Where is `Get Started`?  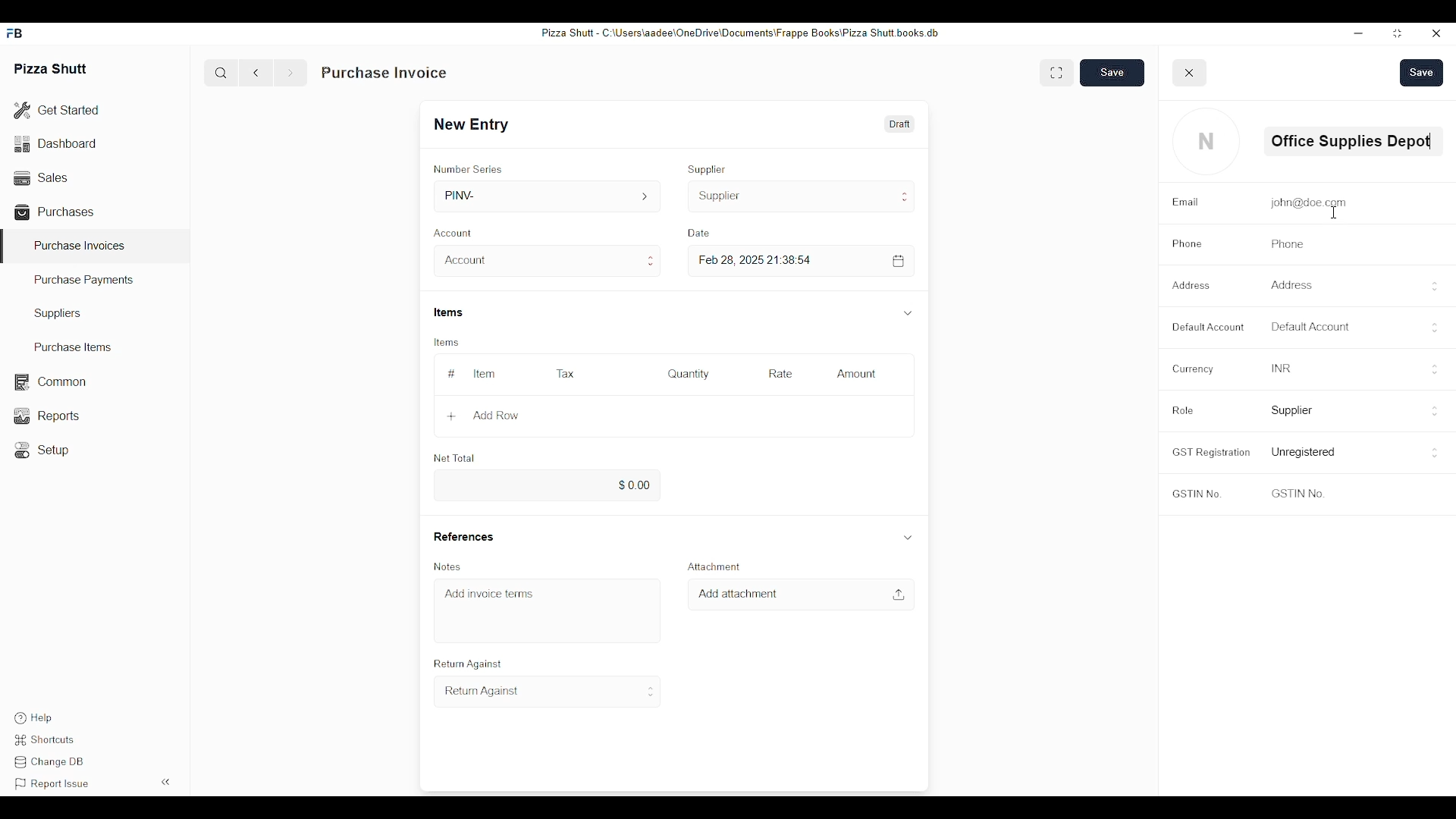 Get Started is located at coordinates (57, 111).